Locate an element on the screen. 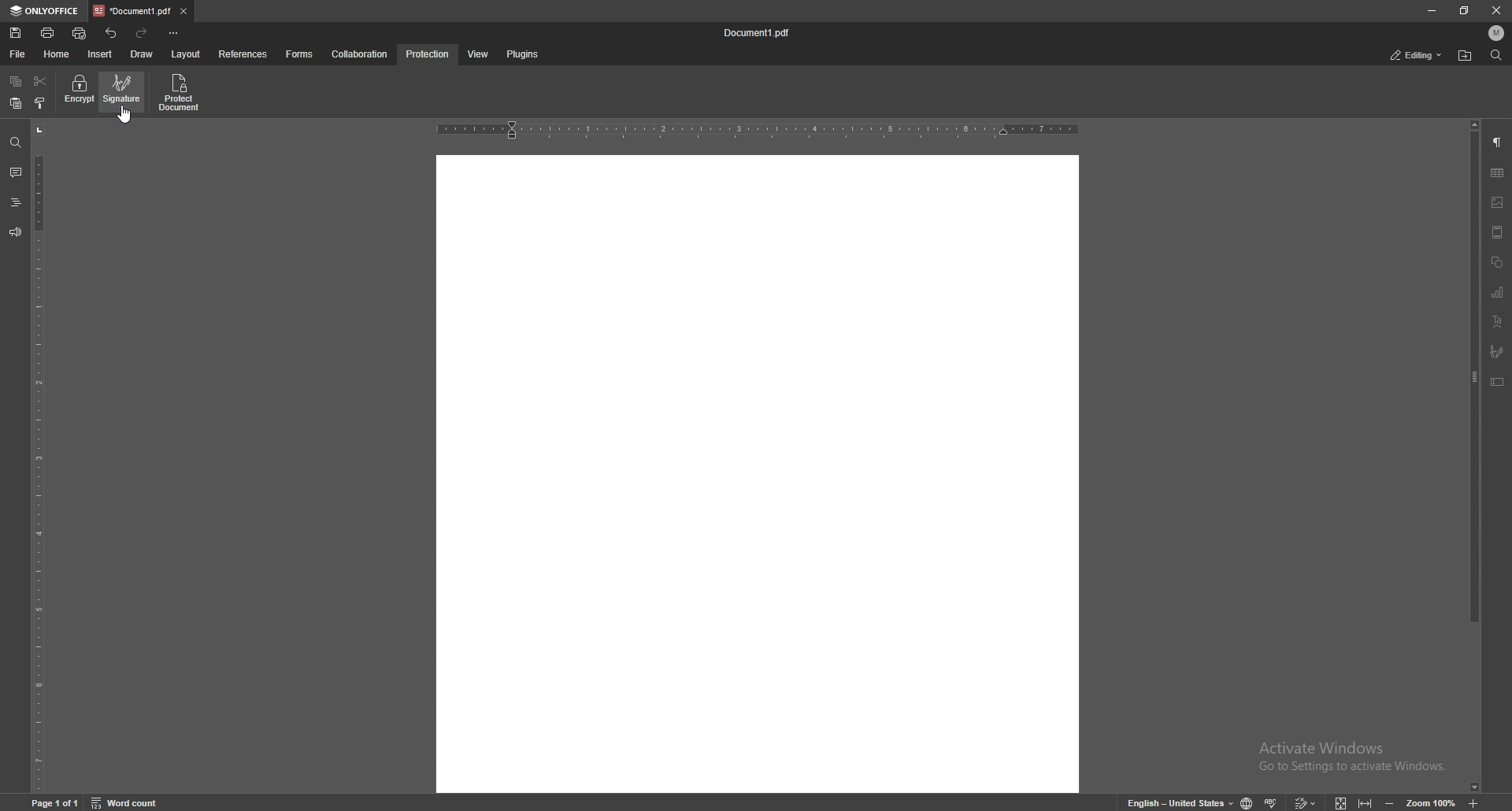  forms is located at coordinates (301, 54).